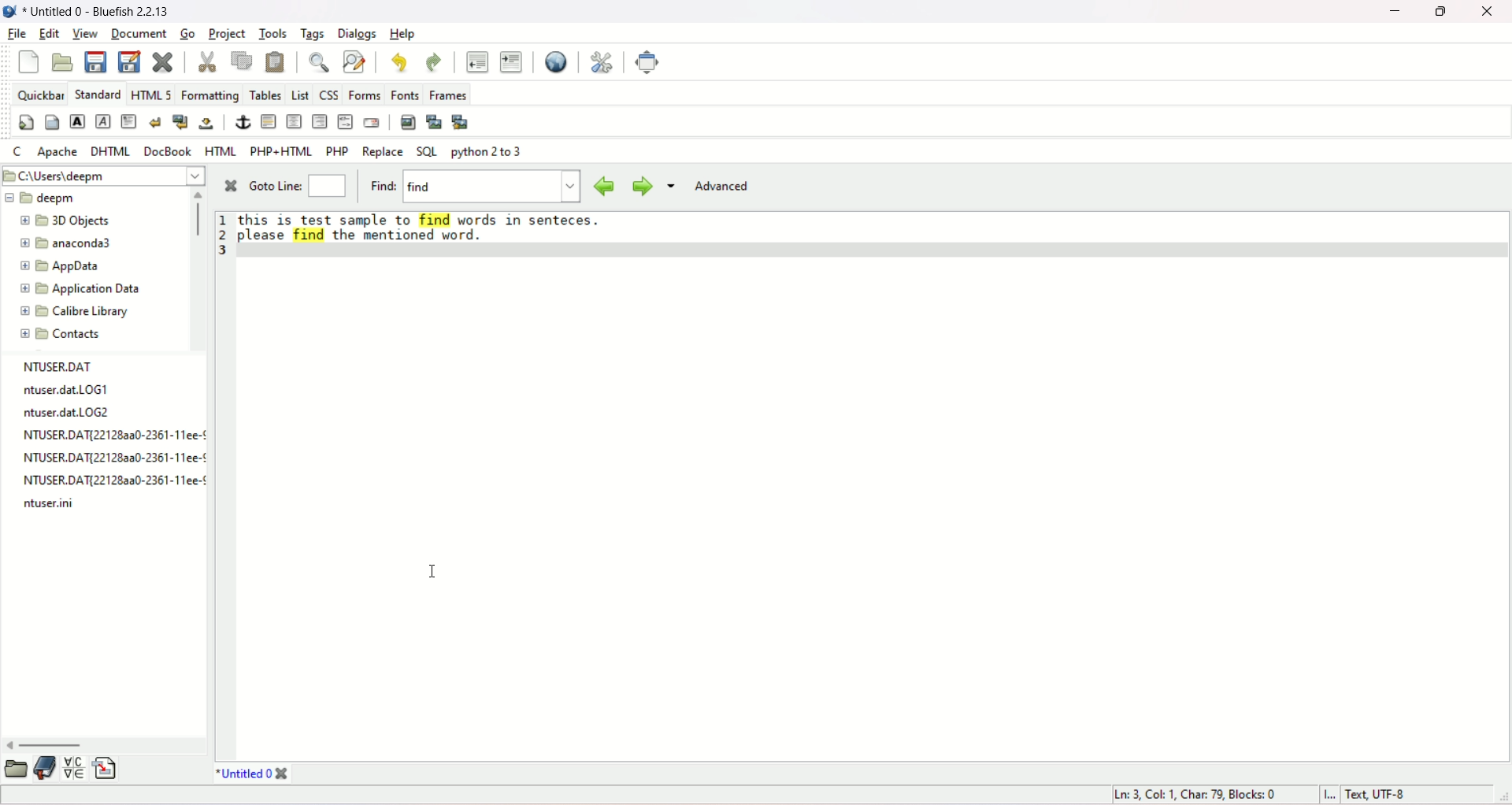  I want to click on non-breaking space, so click(206, 124).